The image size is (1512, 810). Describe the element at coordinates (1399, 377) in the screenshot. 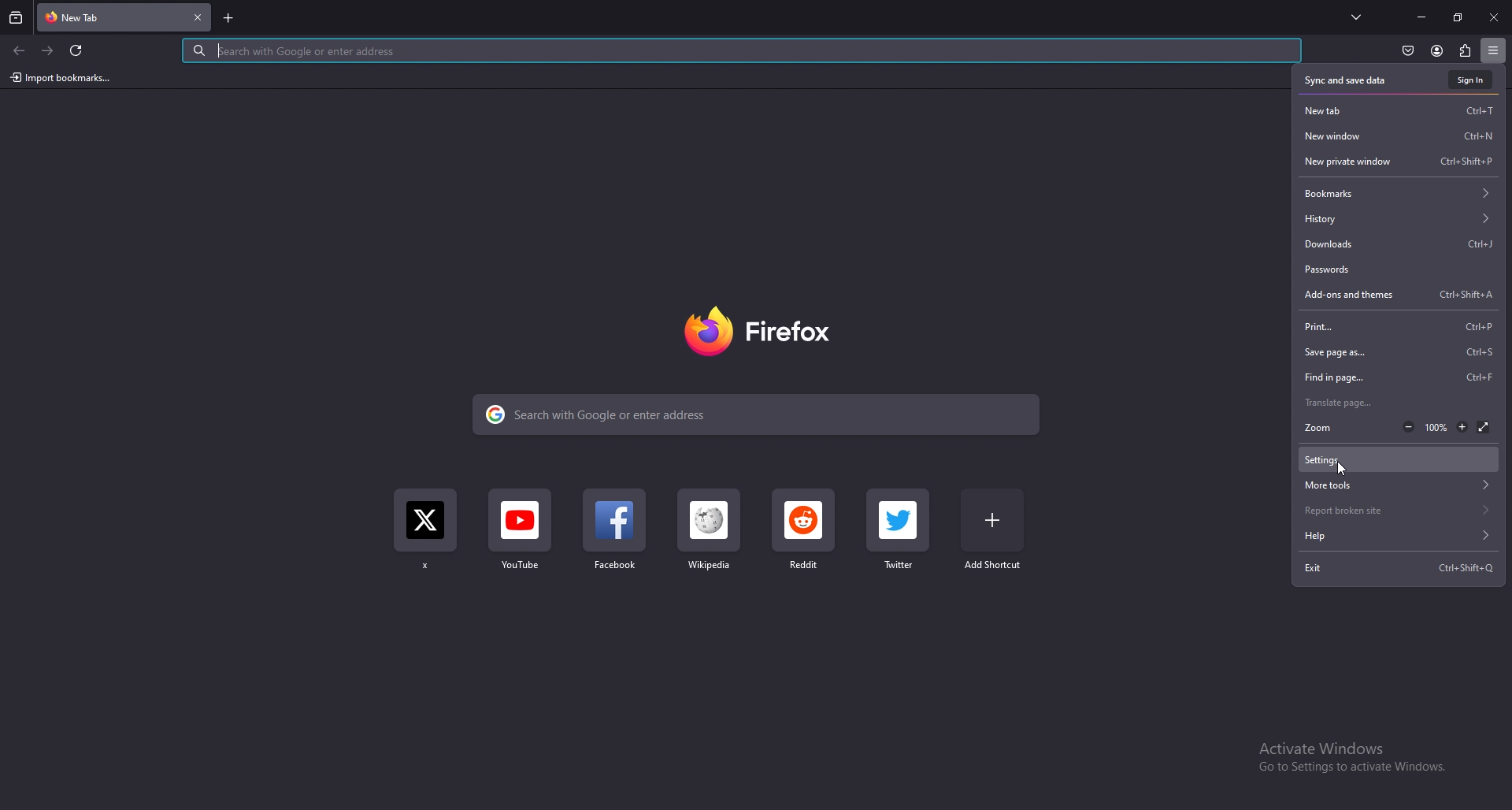

I see `find in page` at that location.